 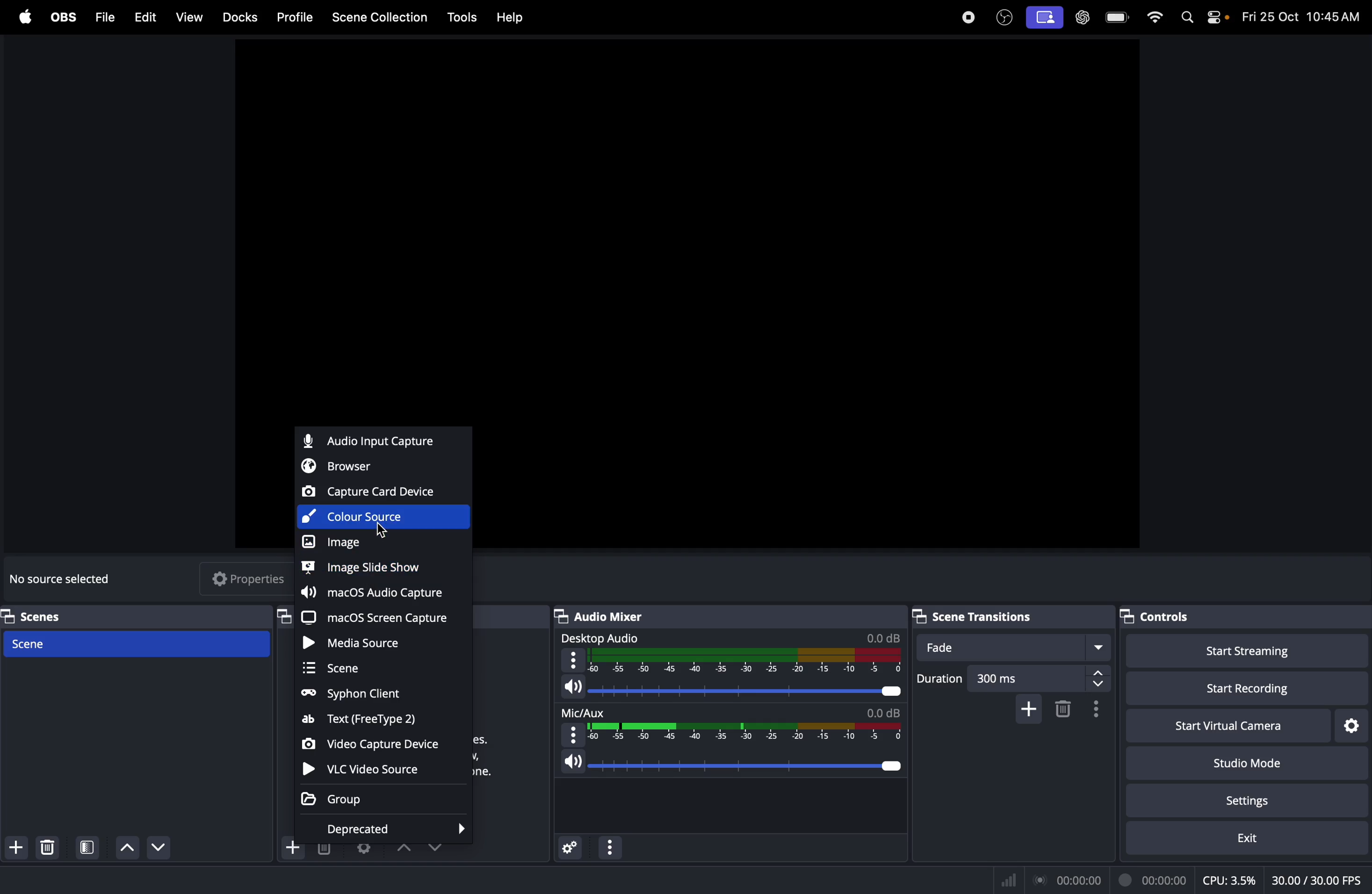 What do you see at coordinates (364, 467) in the screenshot?
I see `browser` at bounding box center [364, 467].